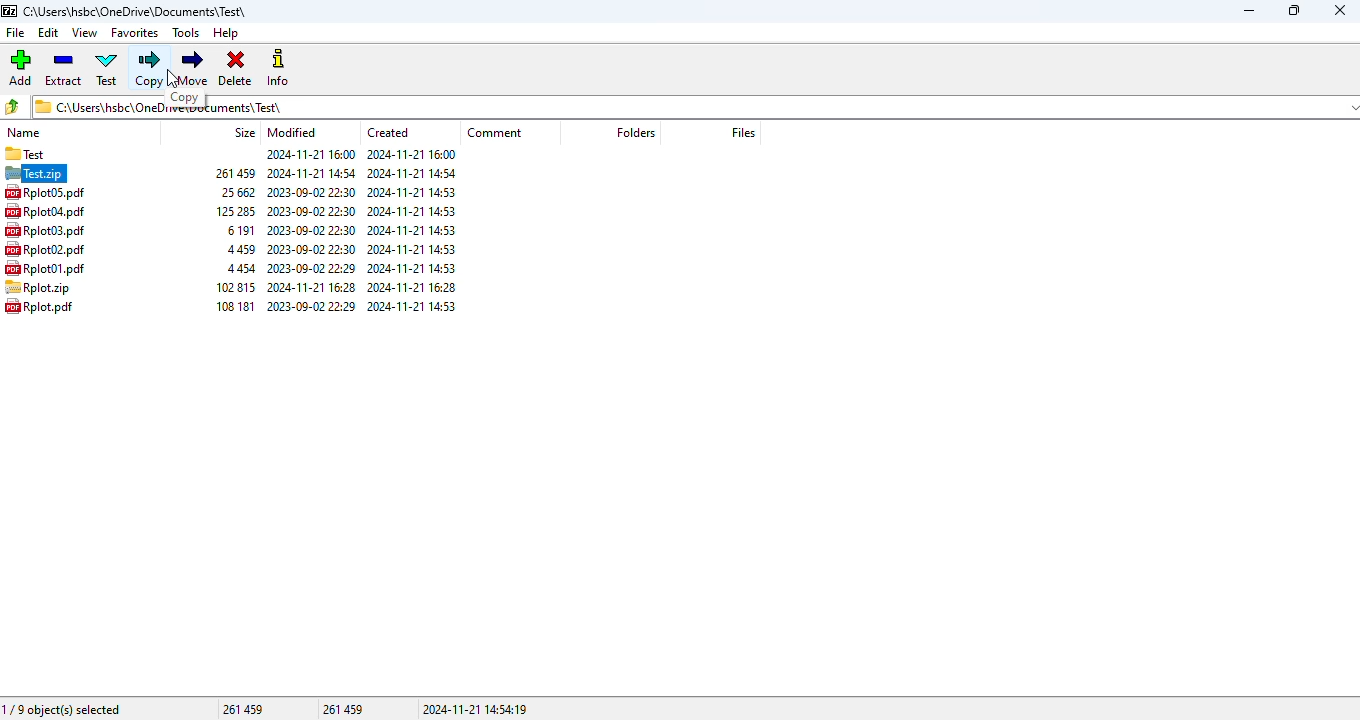 The width and height of the screenshot is (1360, 720). I want to click on favorites, so click(135, 33).